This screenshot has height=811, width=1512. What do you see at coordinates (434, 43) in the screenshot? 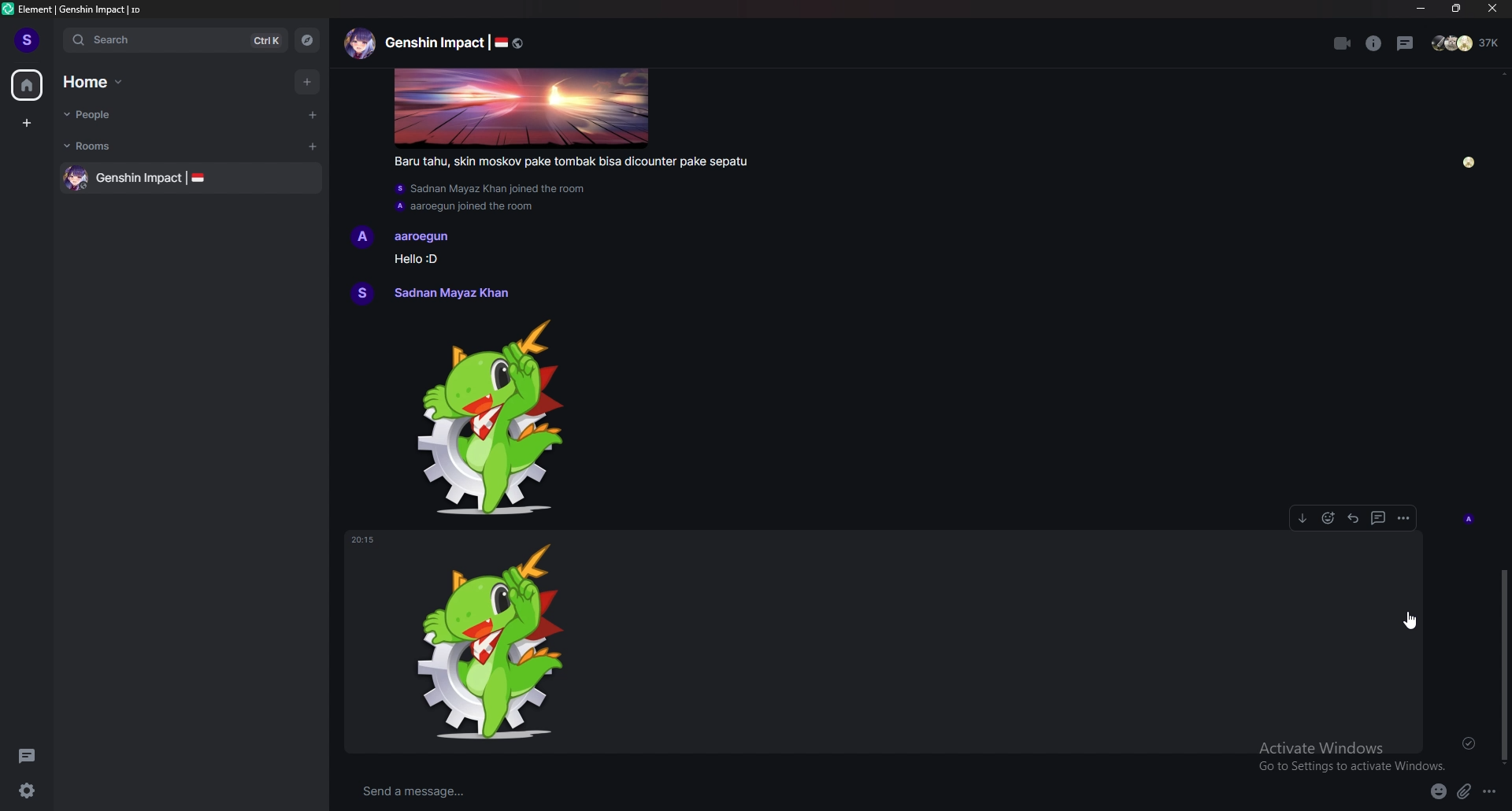
I see `Genshin Impact` at bounding box center [434, 43].